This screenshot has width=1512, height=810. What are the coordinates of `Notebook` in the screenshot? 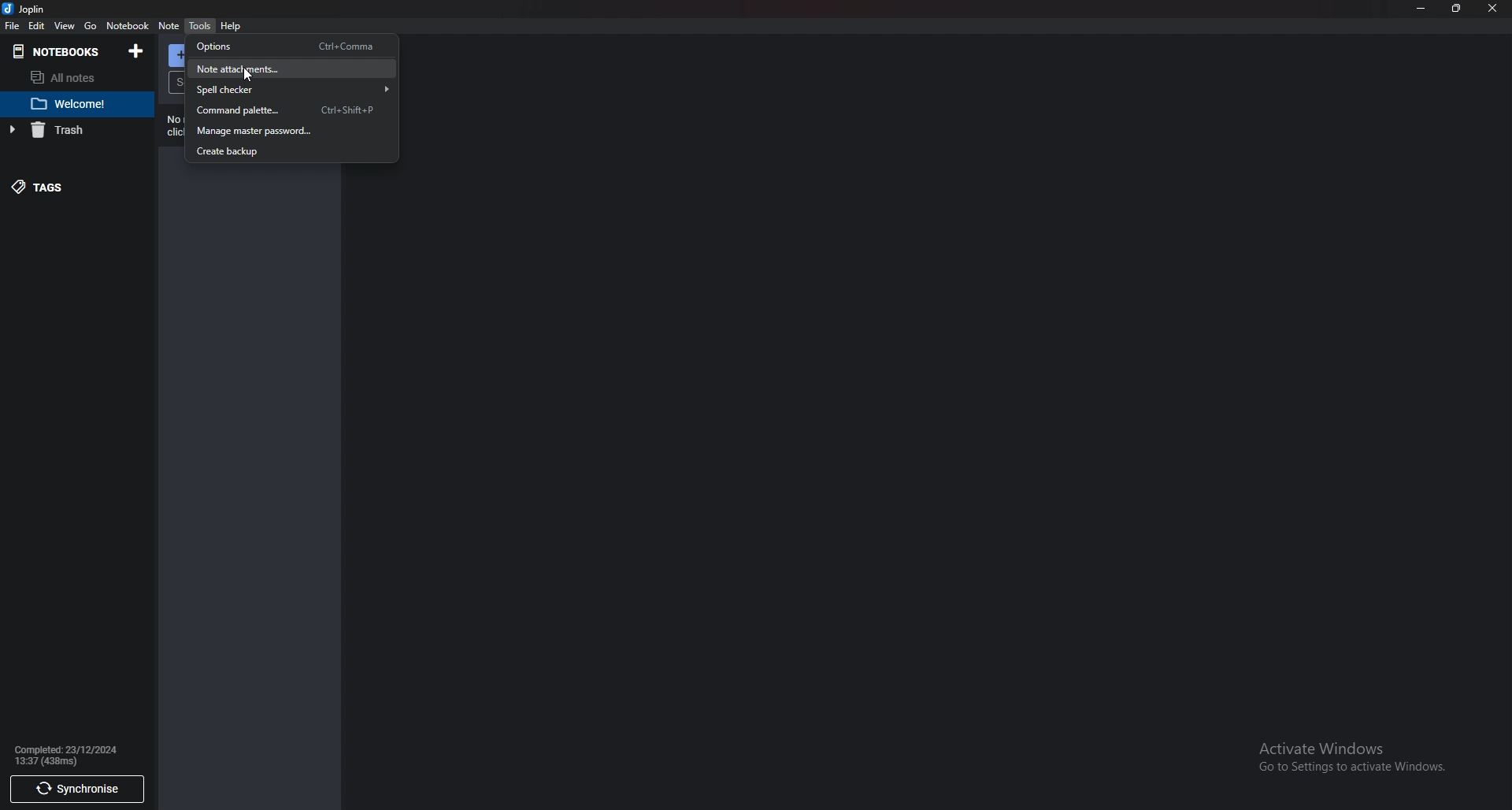 It's located at (60, 51).